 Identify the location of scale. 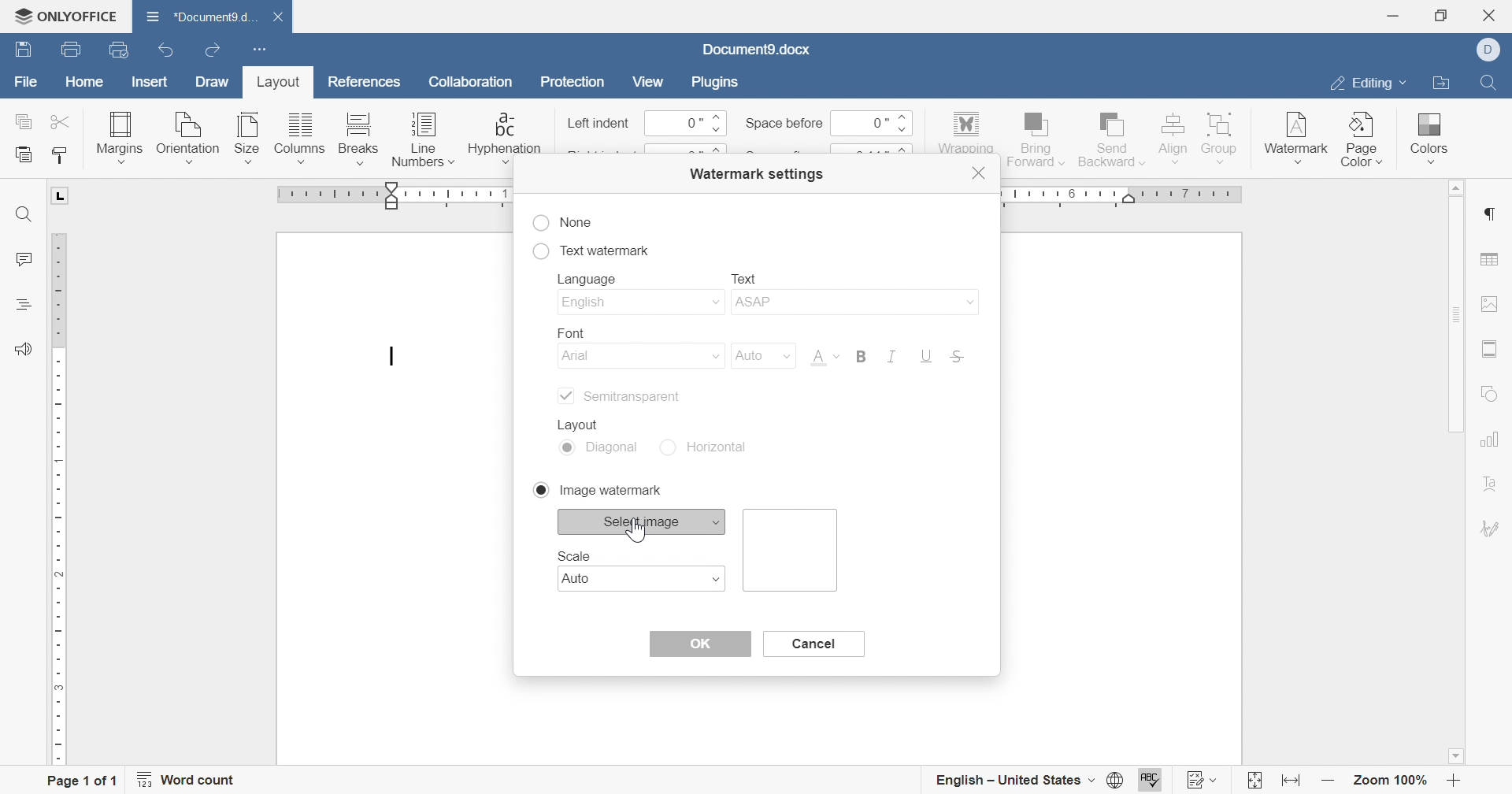
(574, 555).